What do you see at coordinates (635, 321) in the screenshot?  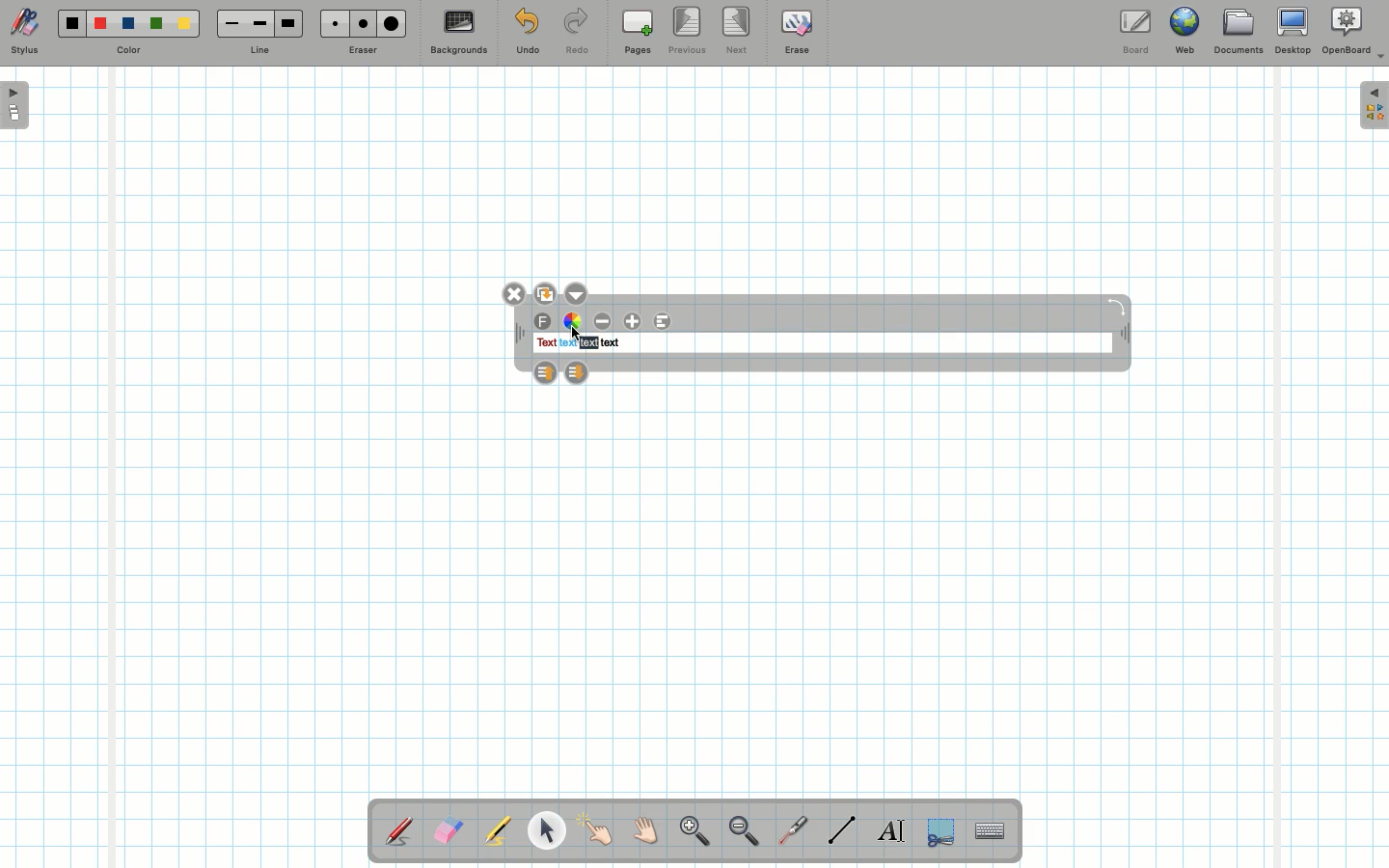 I see `Increase font size` at bounding box center [635, 321].